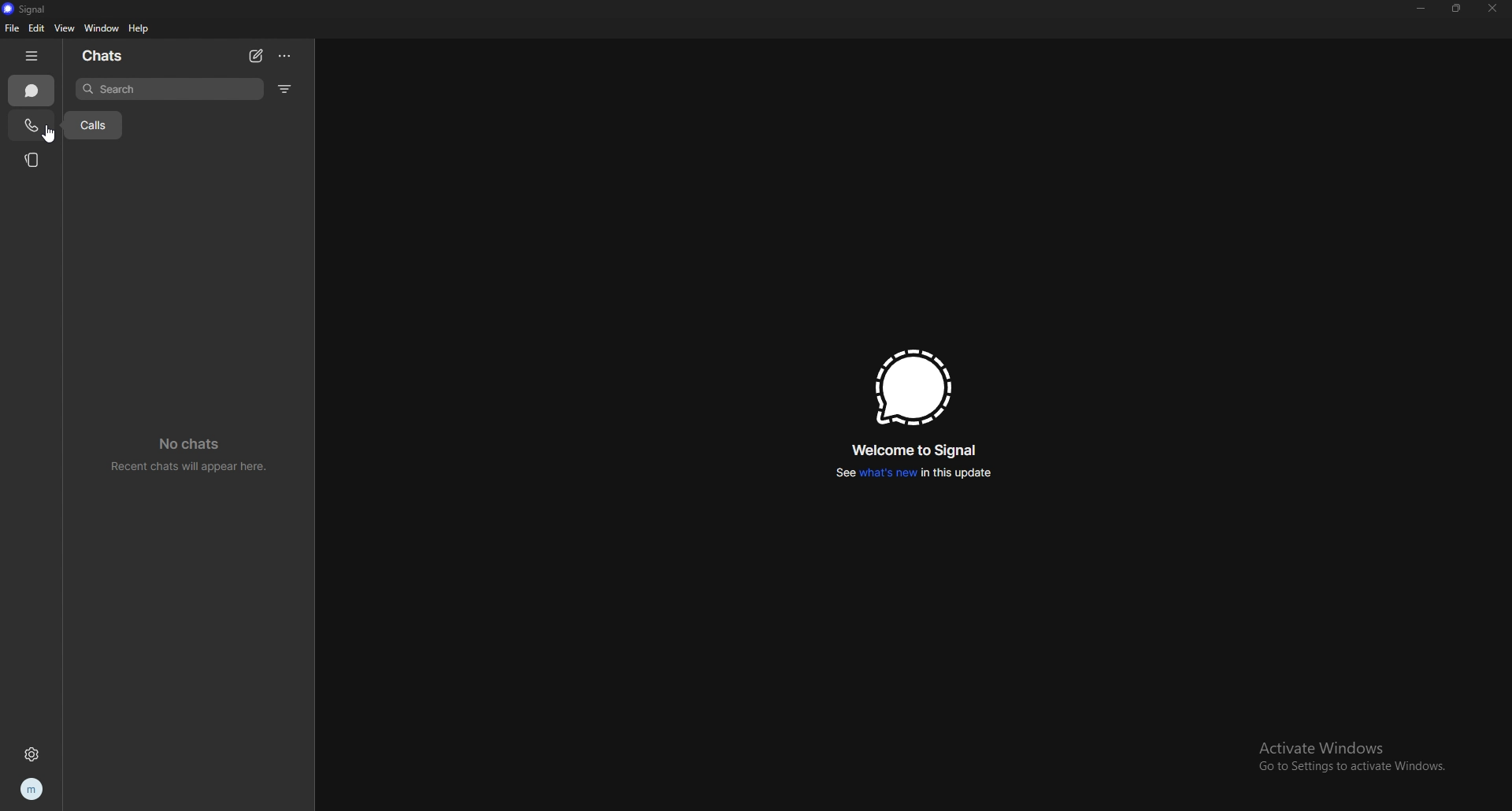 The height and width of the screenshot is (811, 1512). Describe the element at coordinates (107, 55) in the screenshot. I see `chats` at that location.